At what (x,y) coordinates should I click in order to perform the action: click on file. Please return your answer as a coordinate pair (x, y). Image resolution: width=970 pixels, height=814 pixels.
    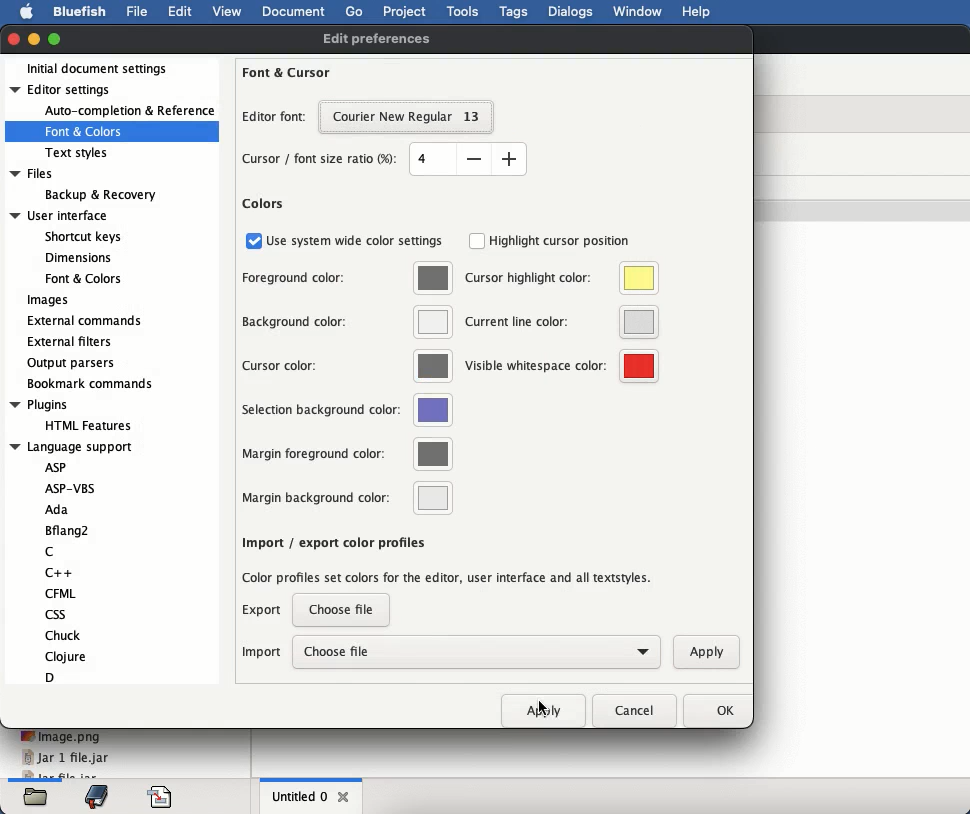
    Looking at the image, I should click on (136, 11).